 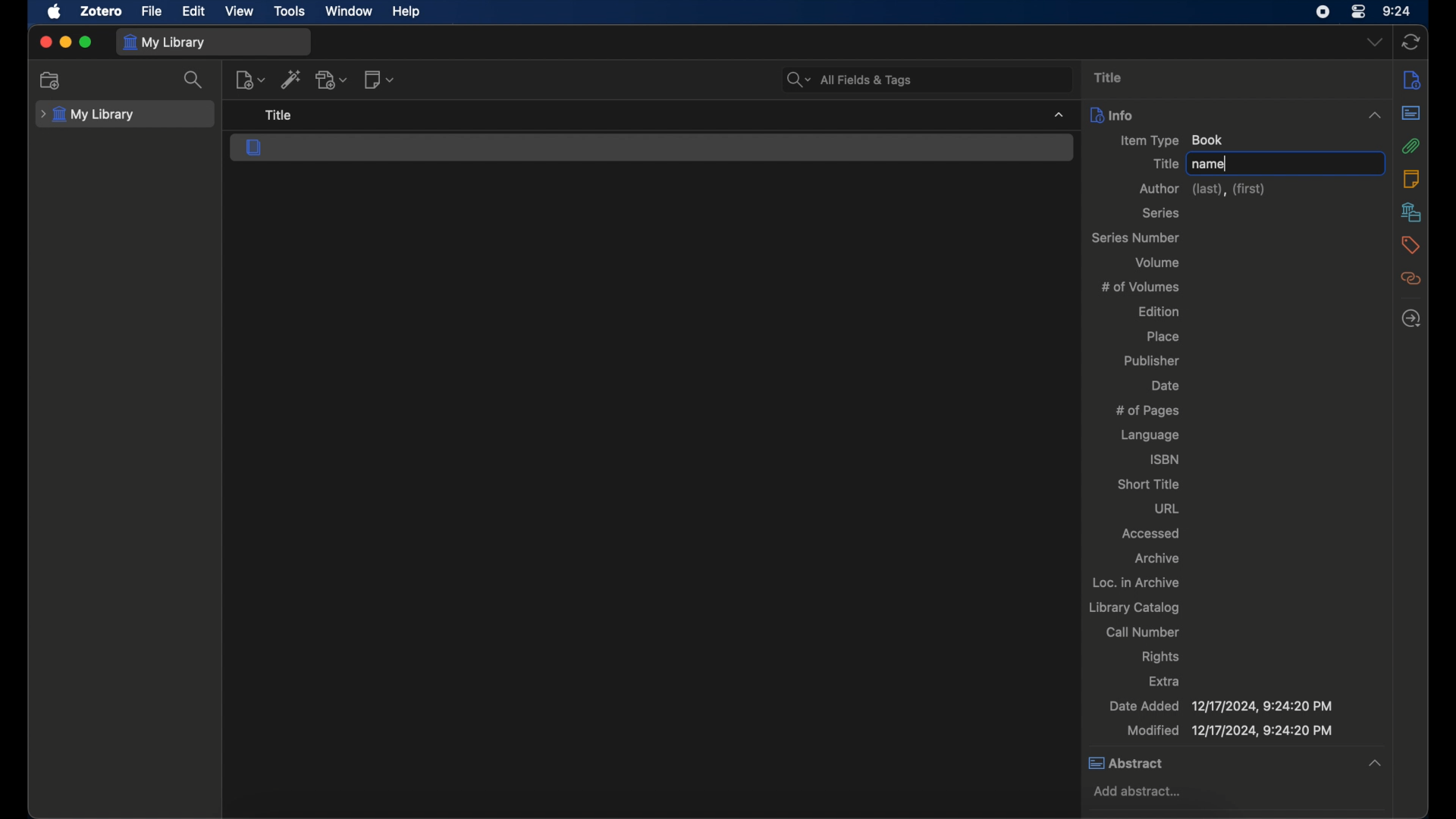 I want to click on title, so click(x=1166, y=163).